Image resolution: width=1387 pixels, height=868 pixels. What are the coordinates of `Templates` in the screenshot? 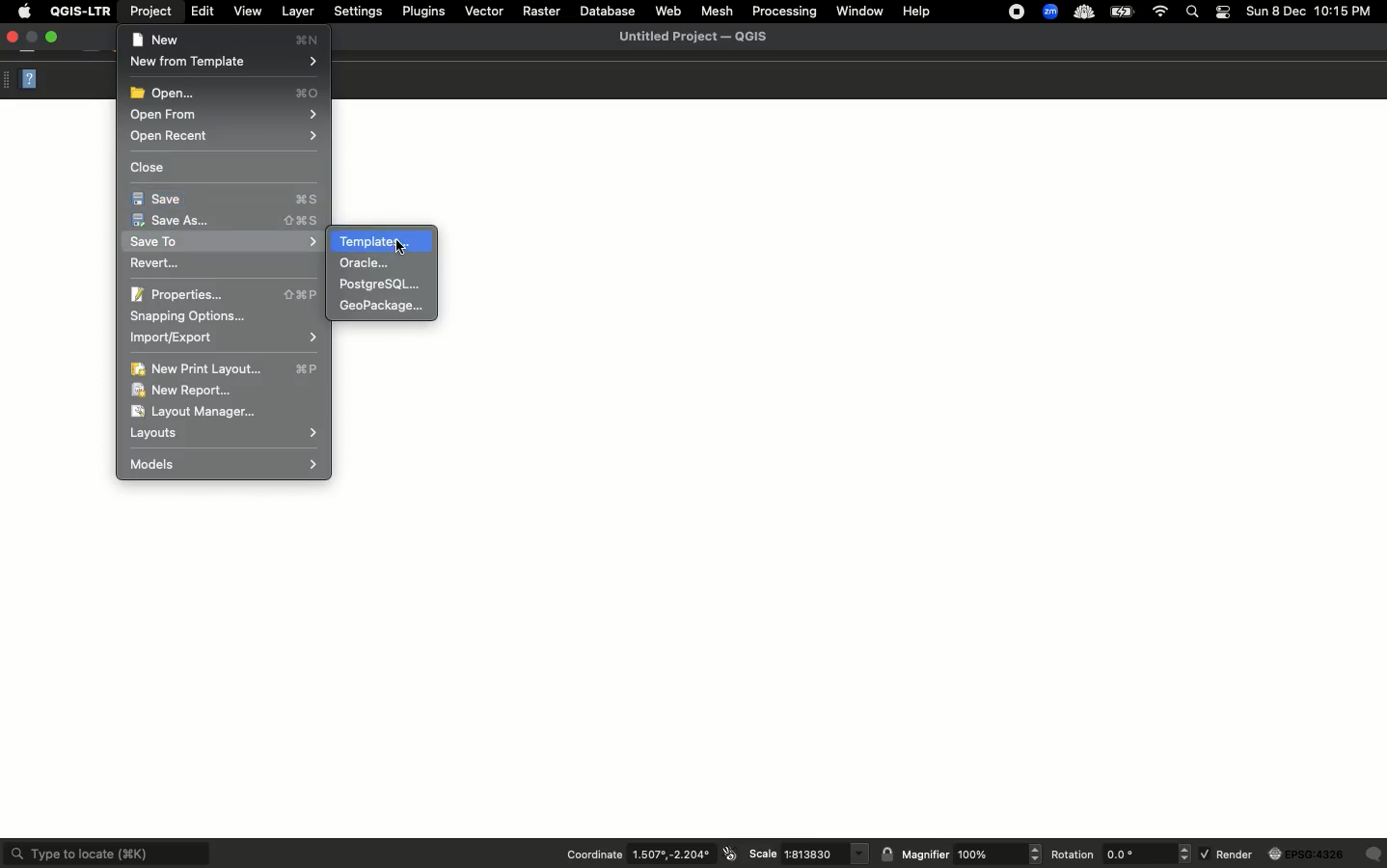 It's located at (380, 239).